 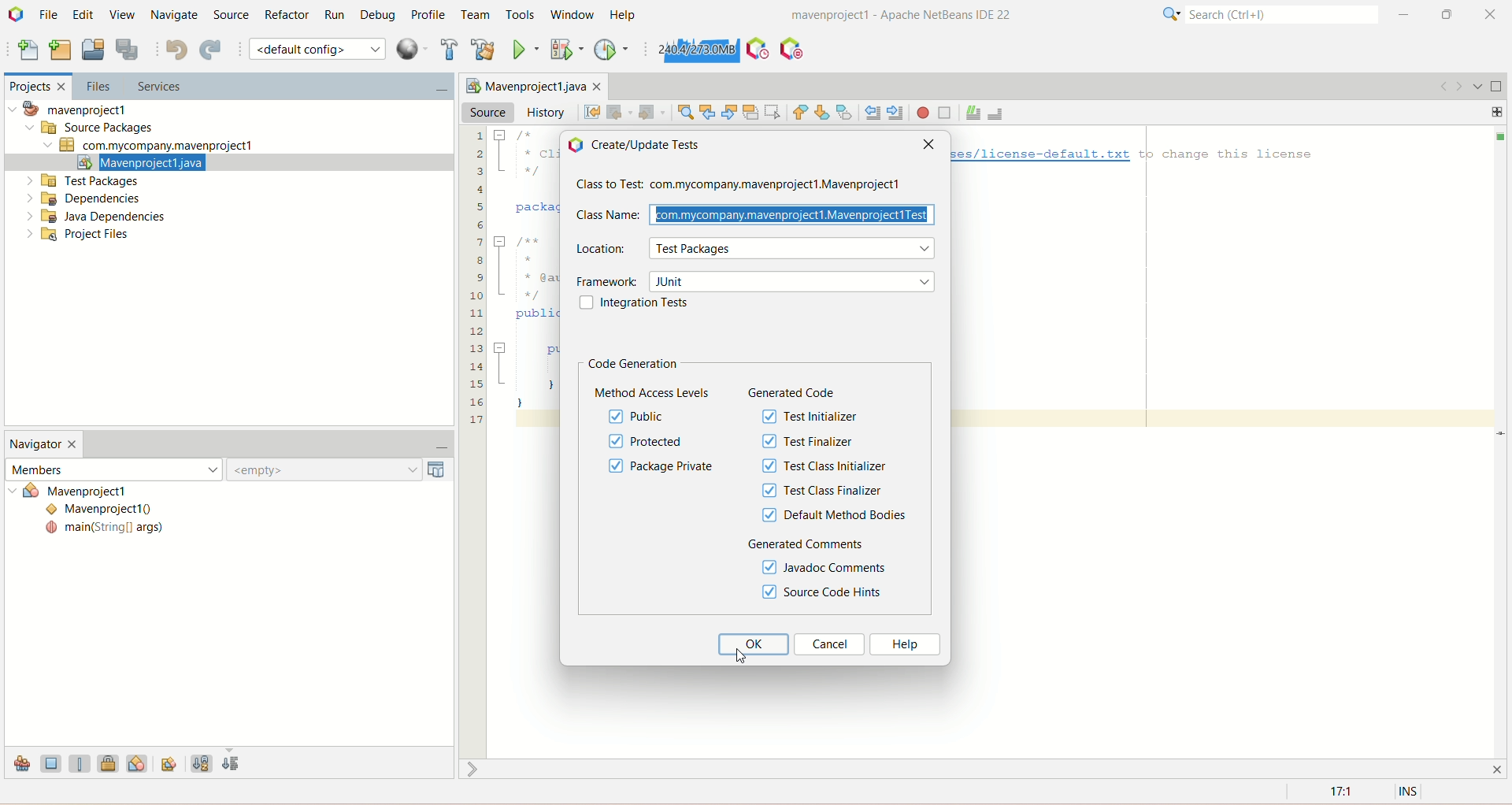 What do you see at coordinates (286, 88) in the screenshot?
I see `services` at bounding box center [286, 88].